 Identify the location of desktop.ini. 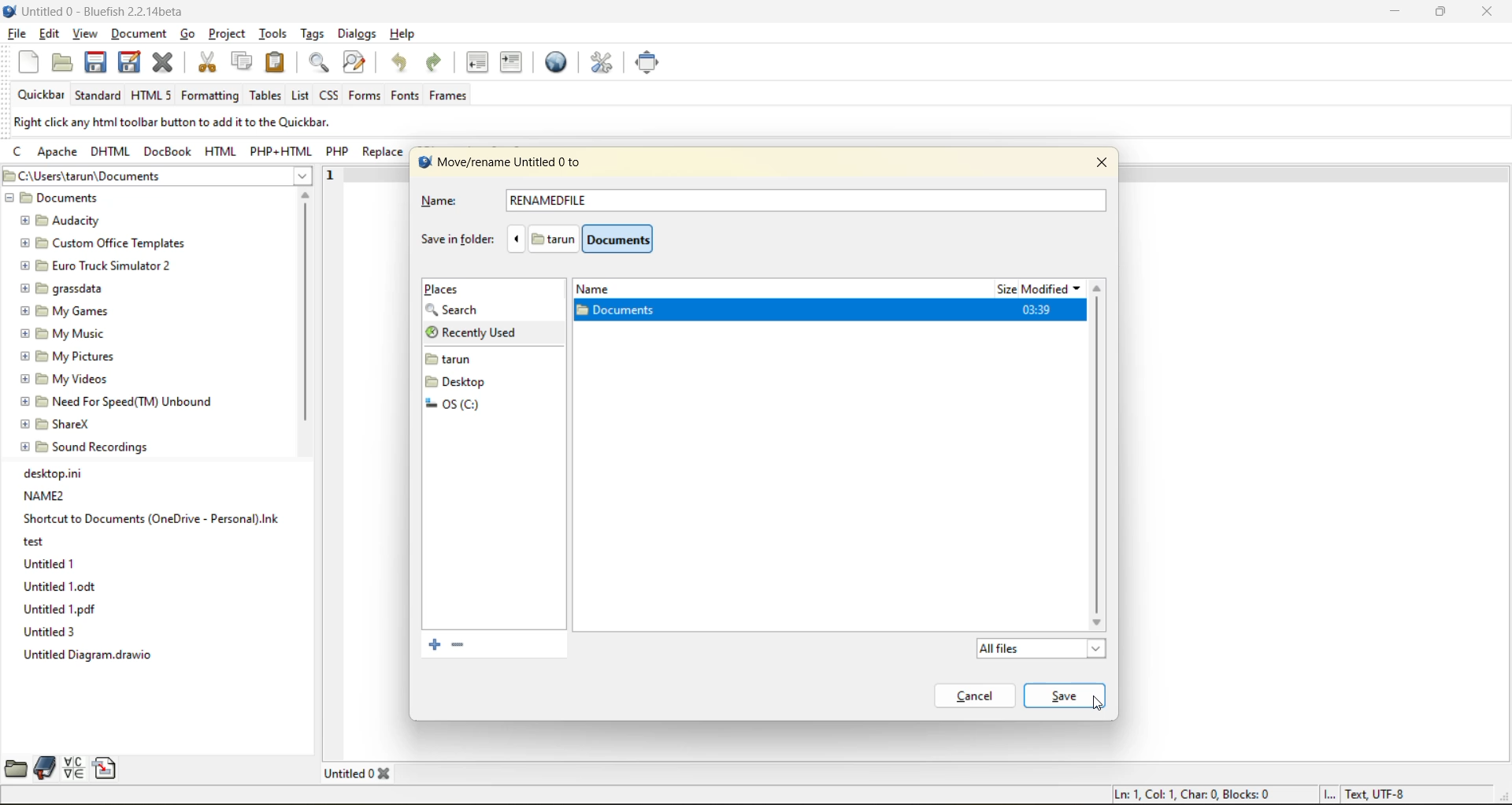
(57, 472).